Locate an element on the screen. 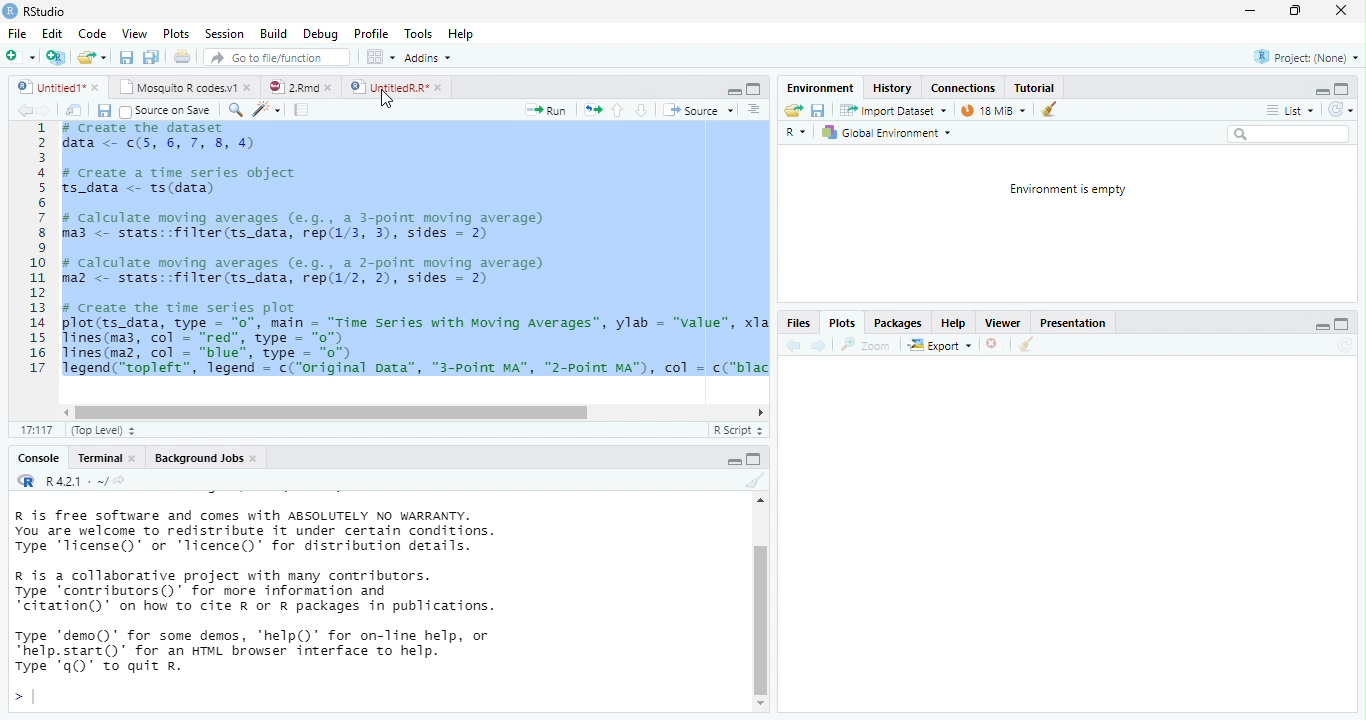 Image resolution: width=1366 pixels, height=720 pixels. close is located at coordinates (995, 346).